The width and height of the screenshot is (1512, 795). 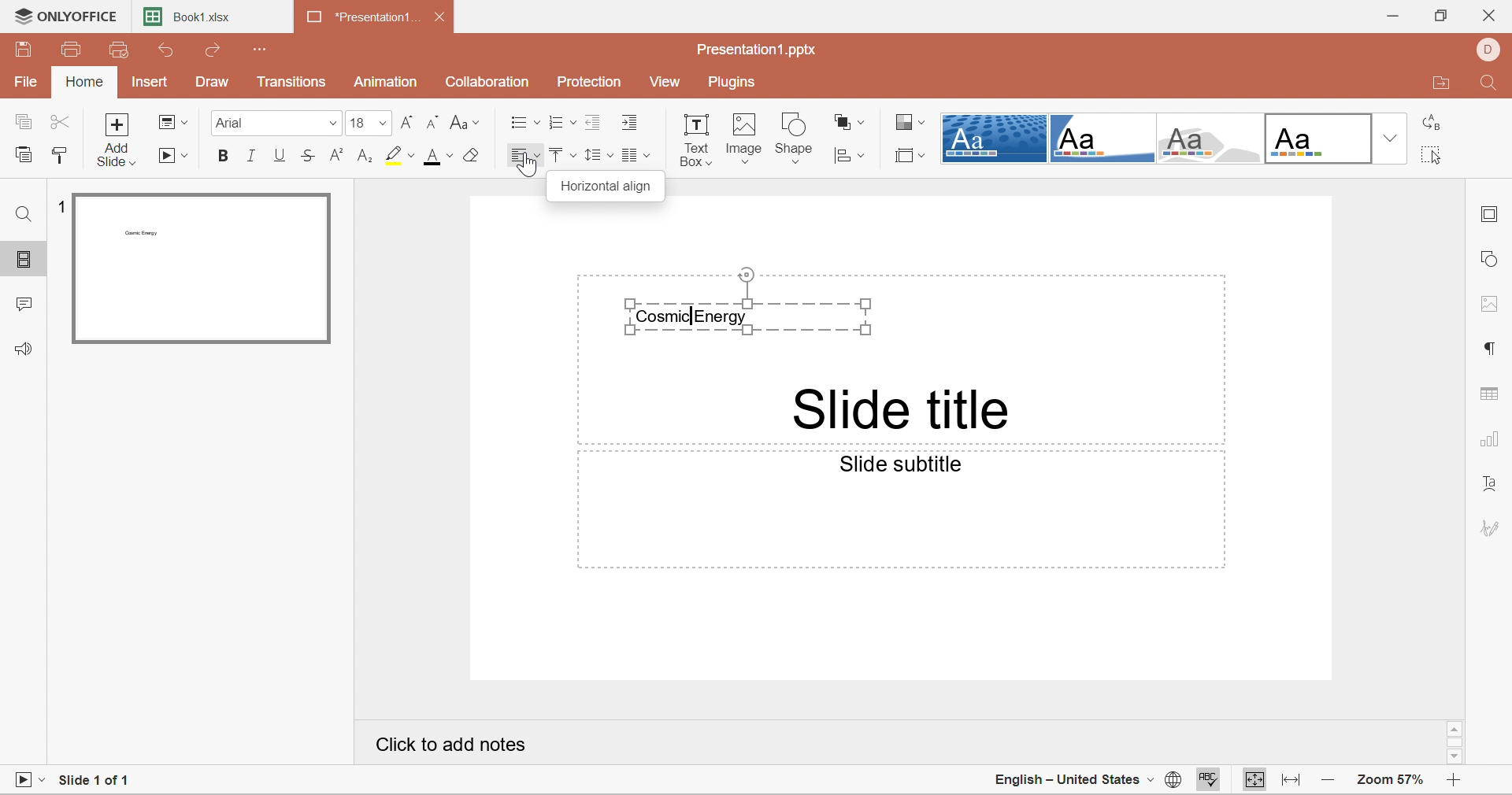 What do you see at coordinates (521, 123) in the screenshot?
I see `Bullets` at bounding box center [521, 123].